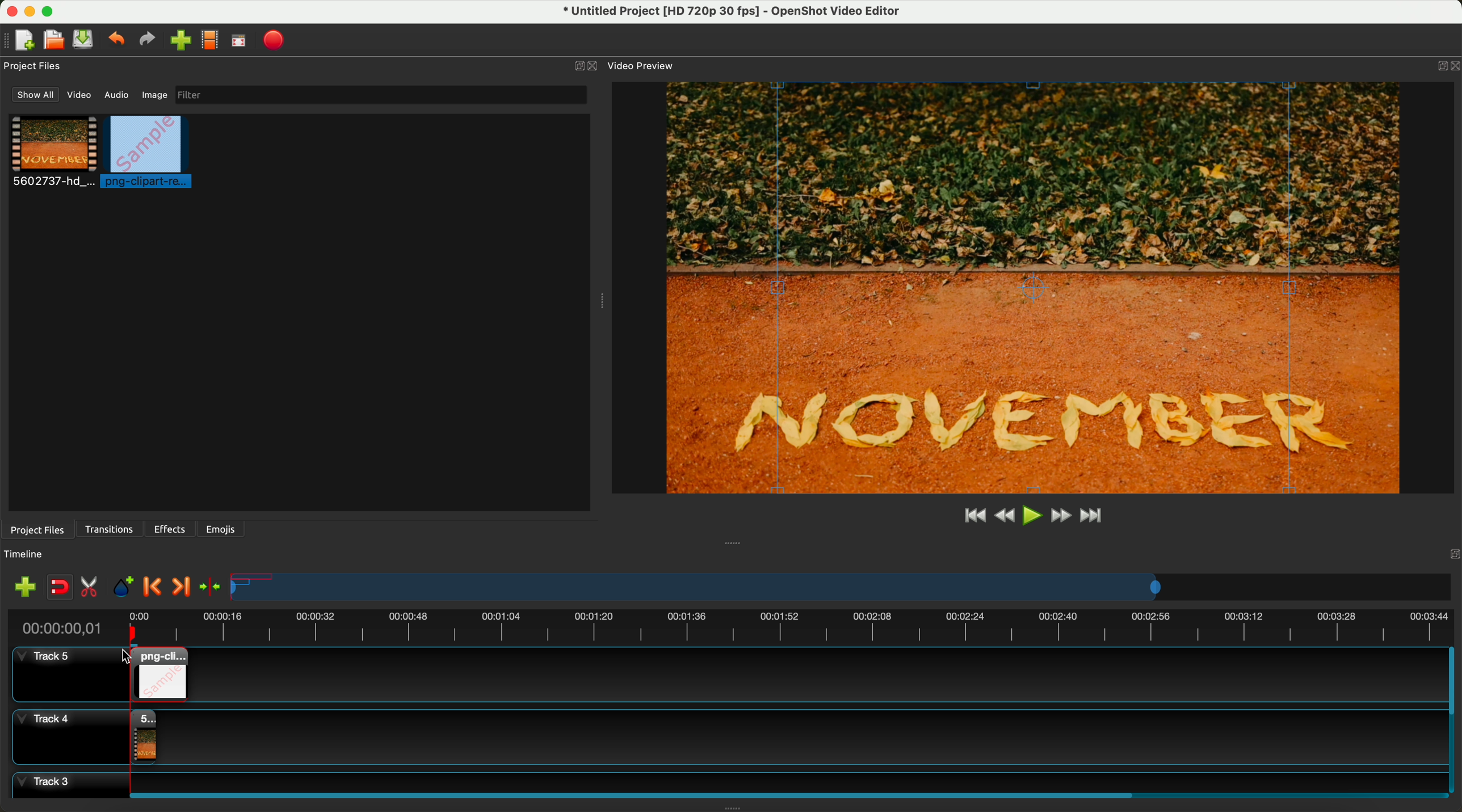 The image size is (1462, 812). What do you see at coordinates (118, 41) in the screenshot?
I see `undo` at bounding box center [118, 41].